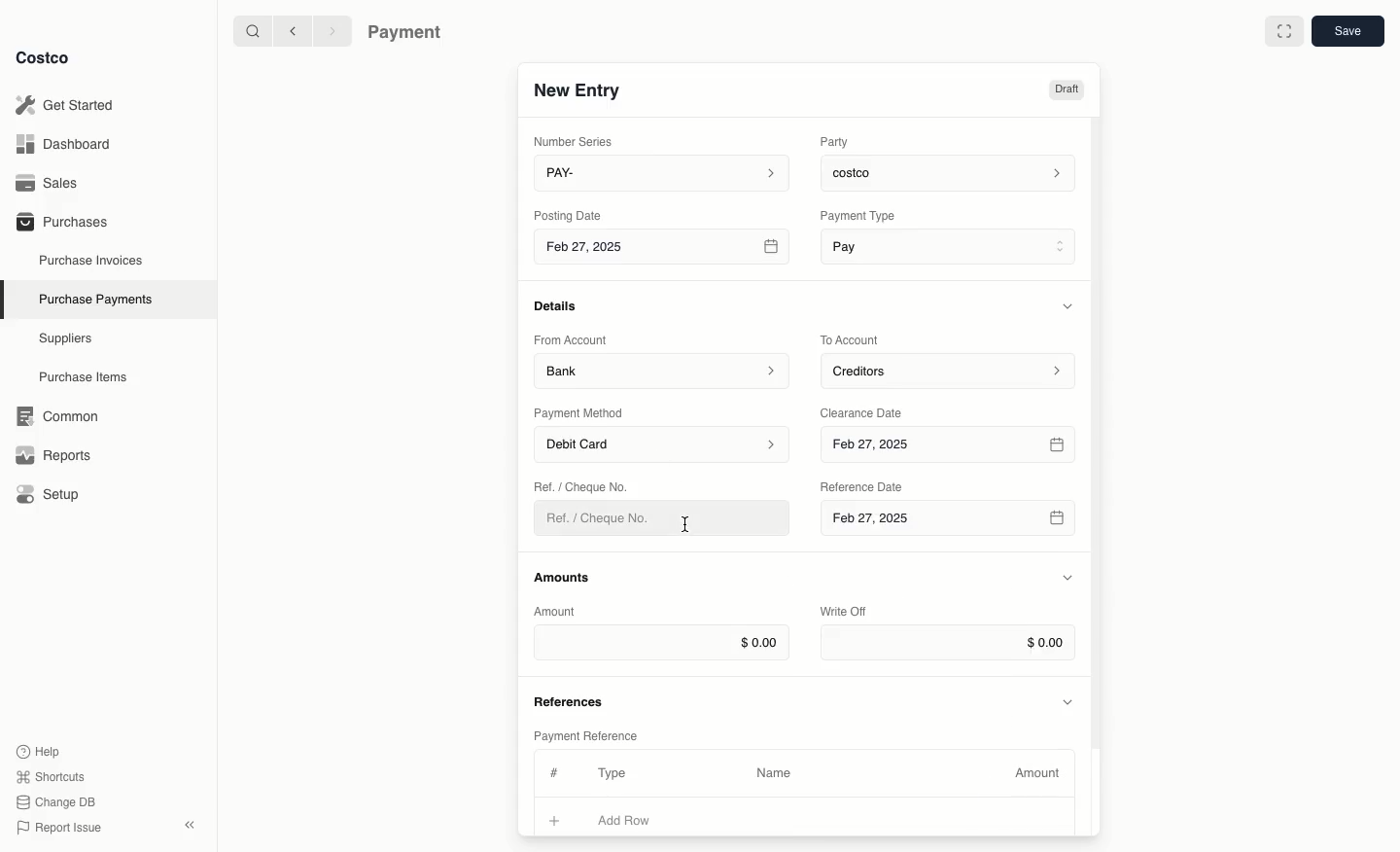 The height and width of the screenshot is (852, 1400). What do you see at coordinates (1284, 34) in the screenshot?
I see `Full width toggle` at bounding box center [1284, 34].